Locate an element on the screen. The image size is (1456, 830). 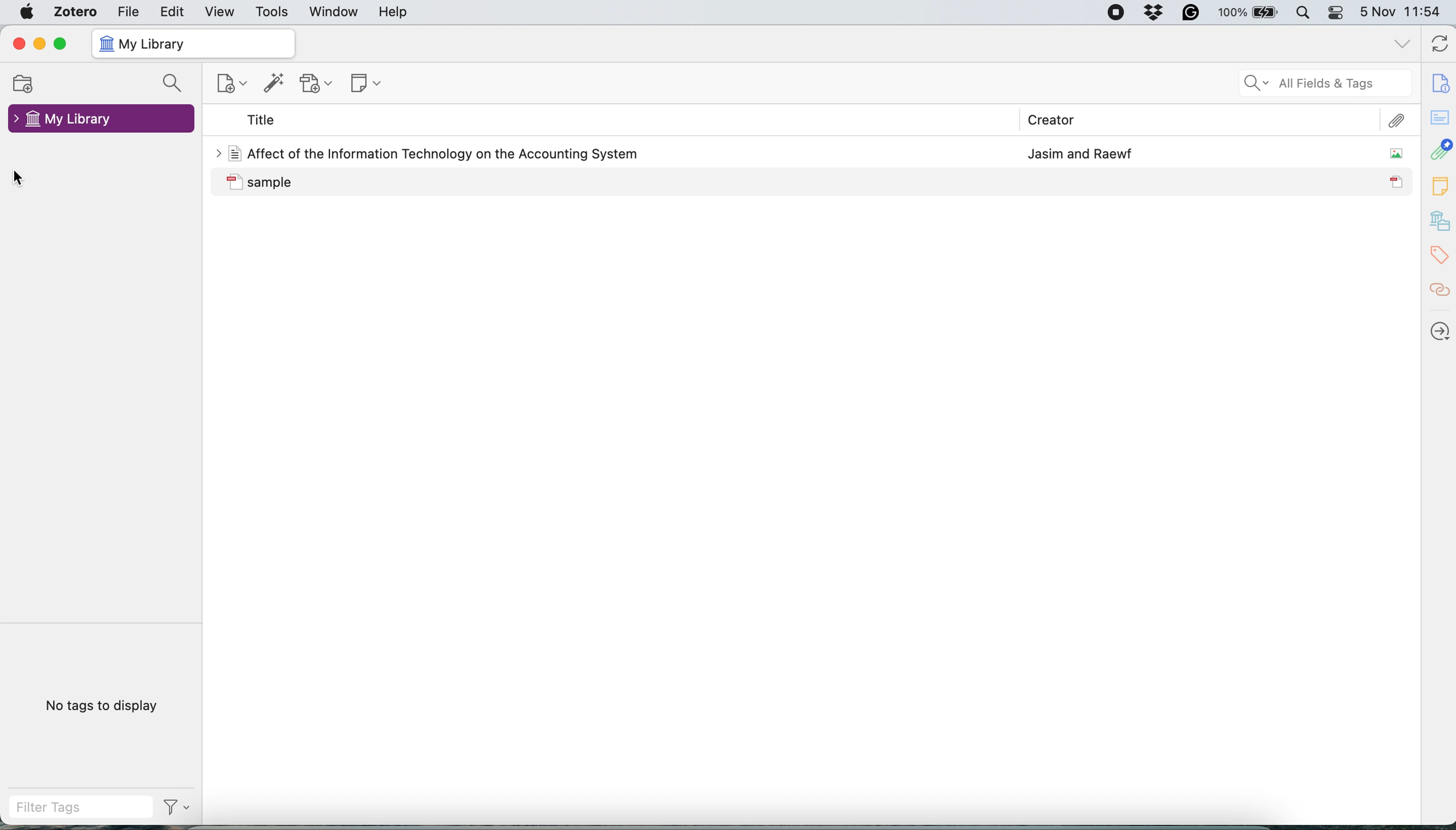
zotero is located at coordinates (73, 14).